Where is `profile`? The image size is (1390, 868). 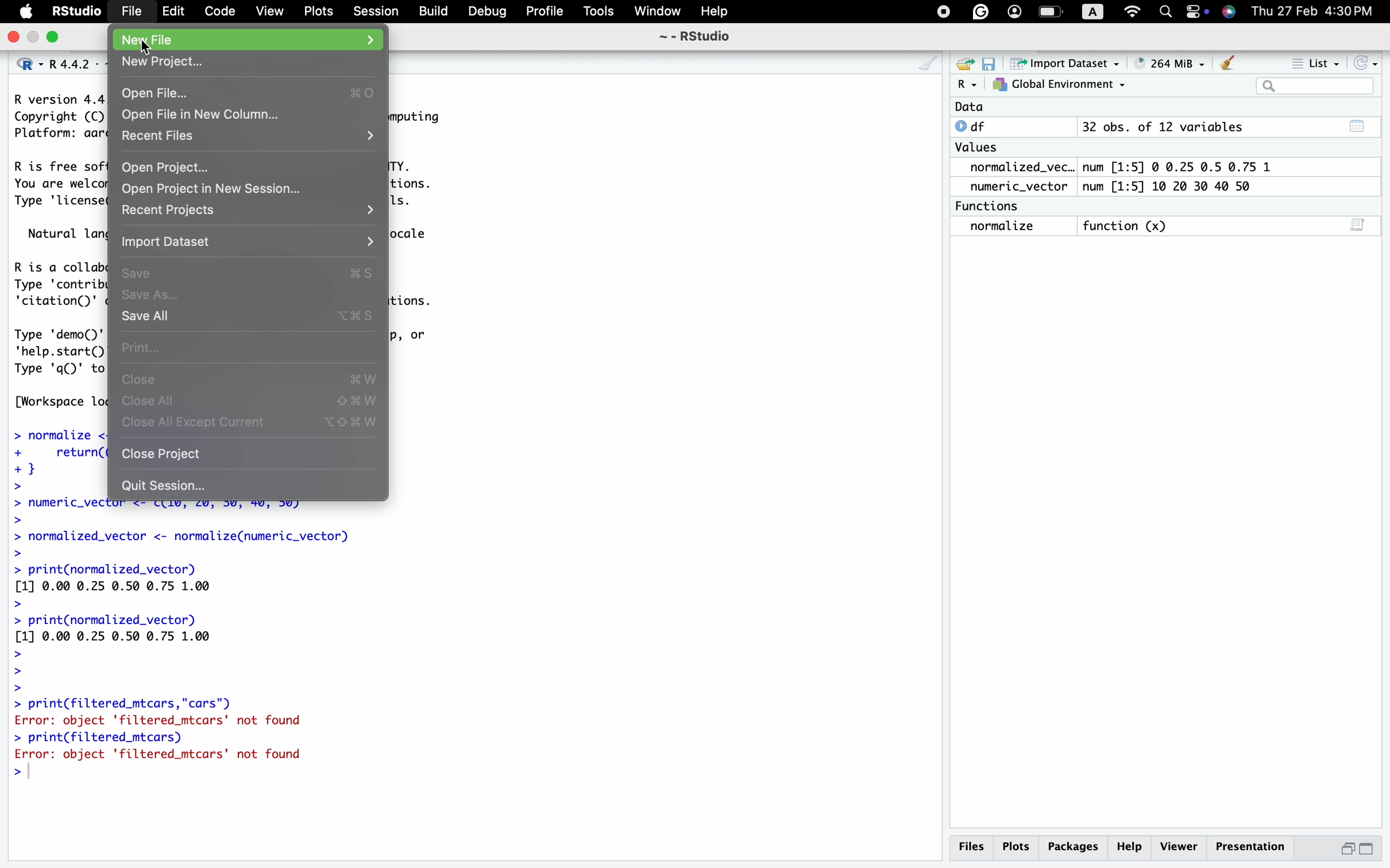
profile is located at coordinates (543, 12).